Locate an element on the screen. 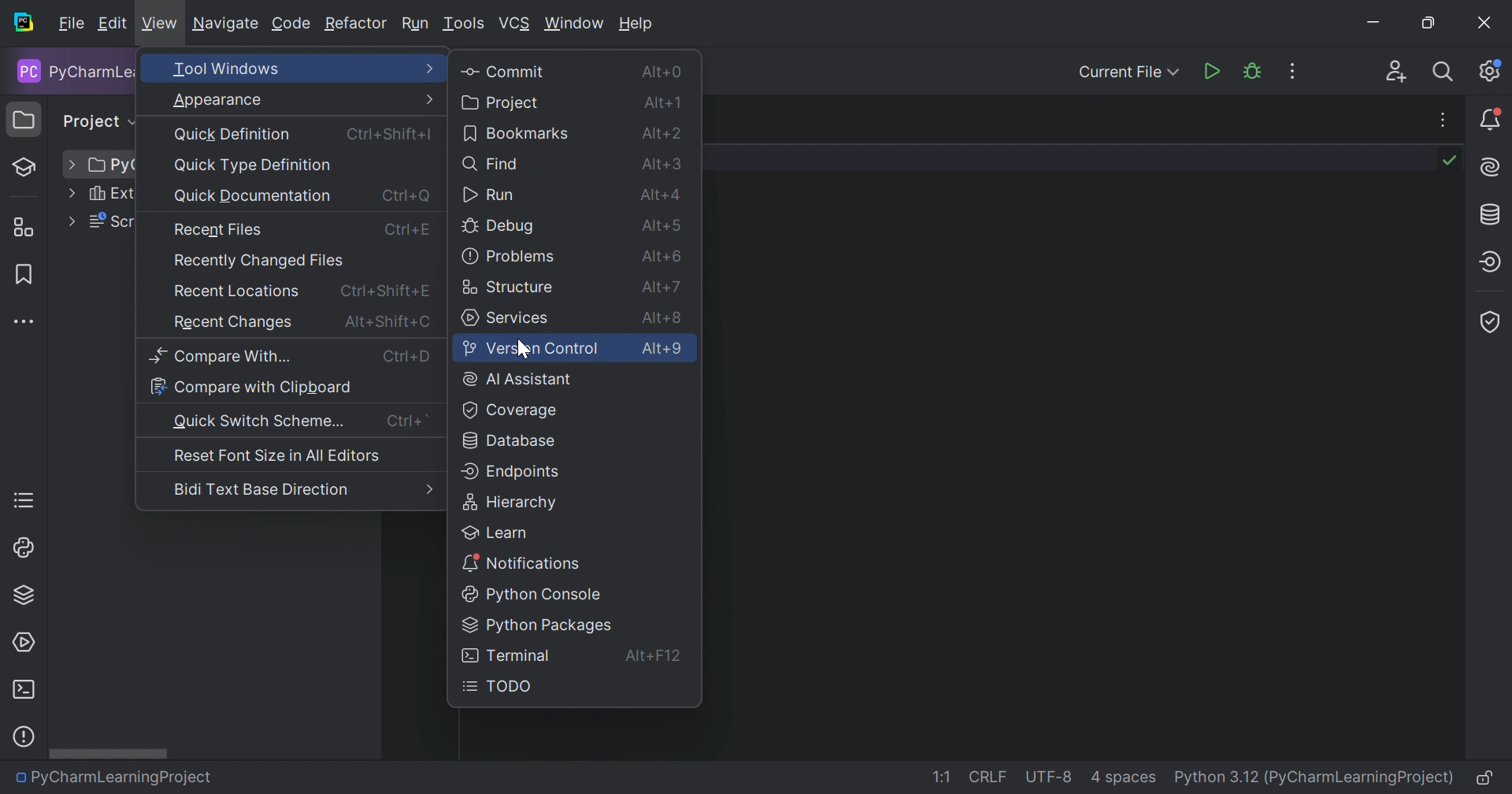  1:1 is located at coordinates (939, 777).